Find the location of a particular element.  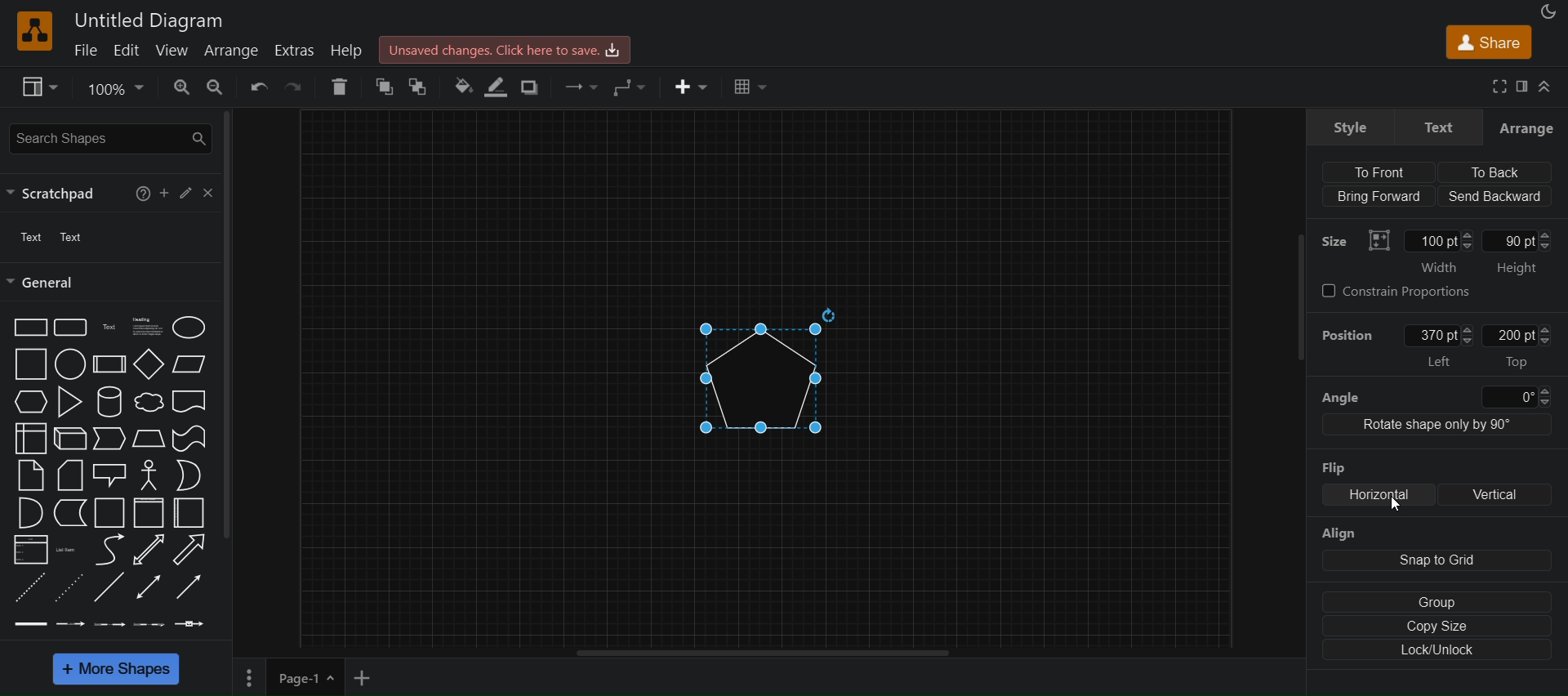

Text 2 is located at coordinates (71, 237).